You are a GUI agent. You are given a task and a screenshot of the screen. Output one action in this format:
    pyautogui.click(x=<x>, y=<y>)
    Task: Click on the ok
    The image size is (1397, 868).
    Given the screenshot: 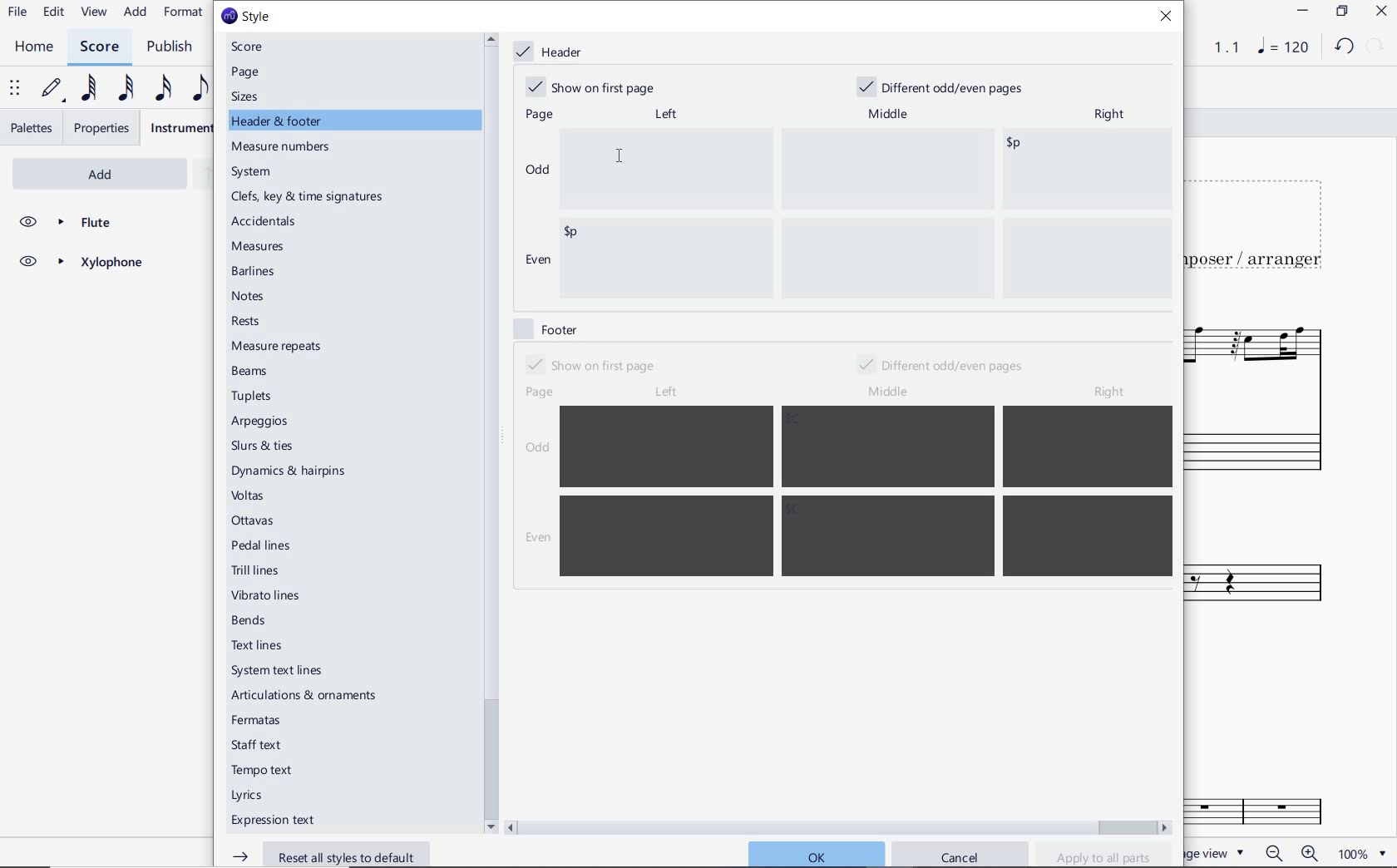 What is the action you would take?
    pyautogui.click(x=815, y=853)
    